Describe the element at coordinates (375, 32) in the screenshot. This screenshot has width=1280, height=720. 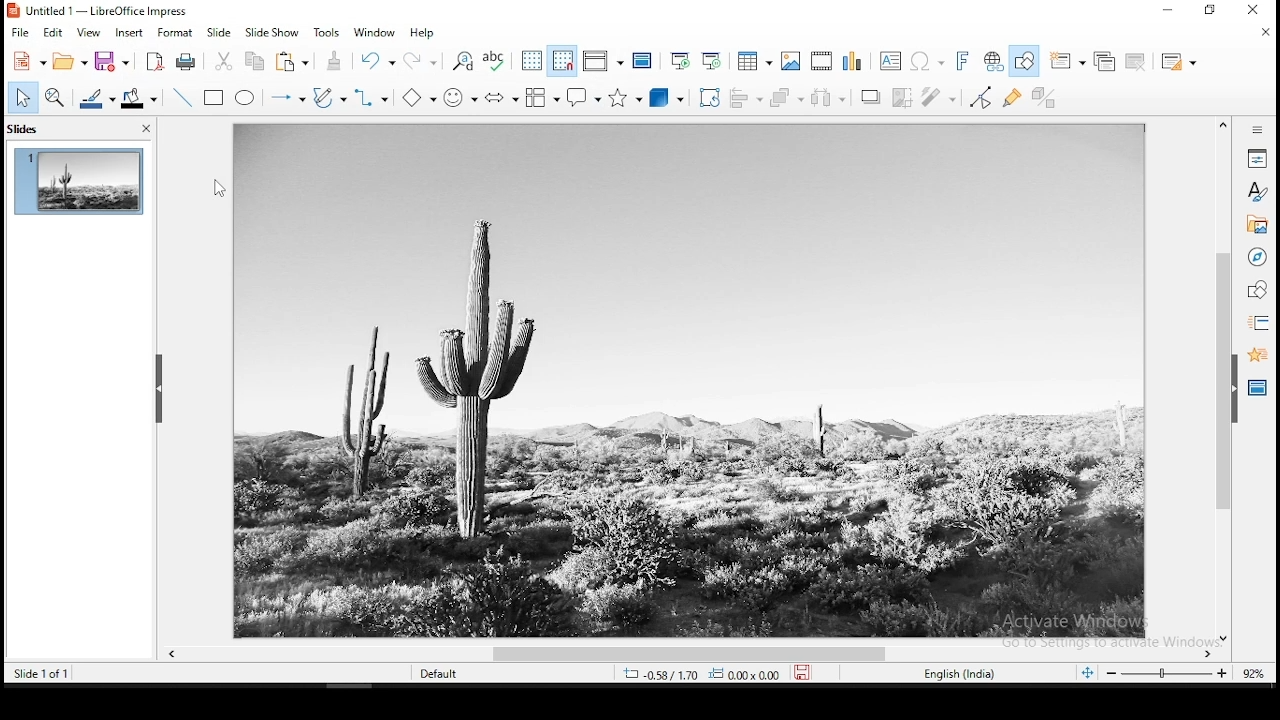
I see `window` at that location.